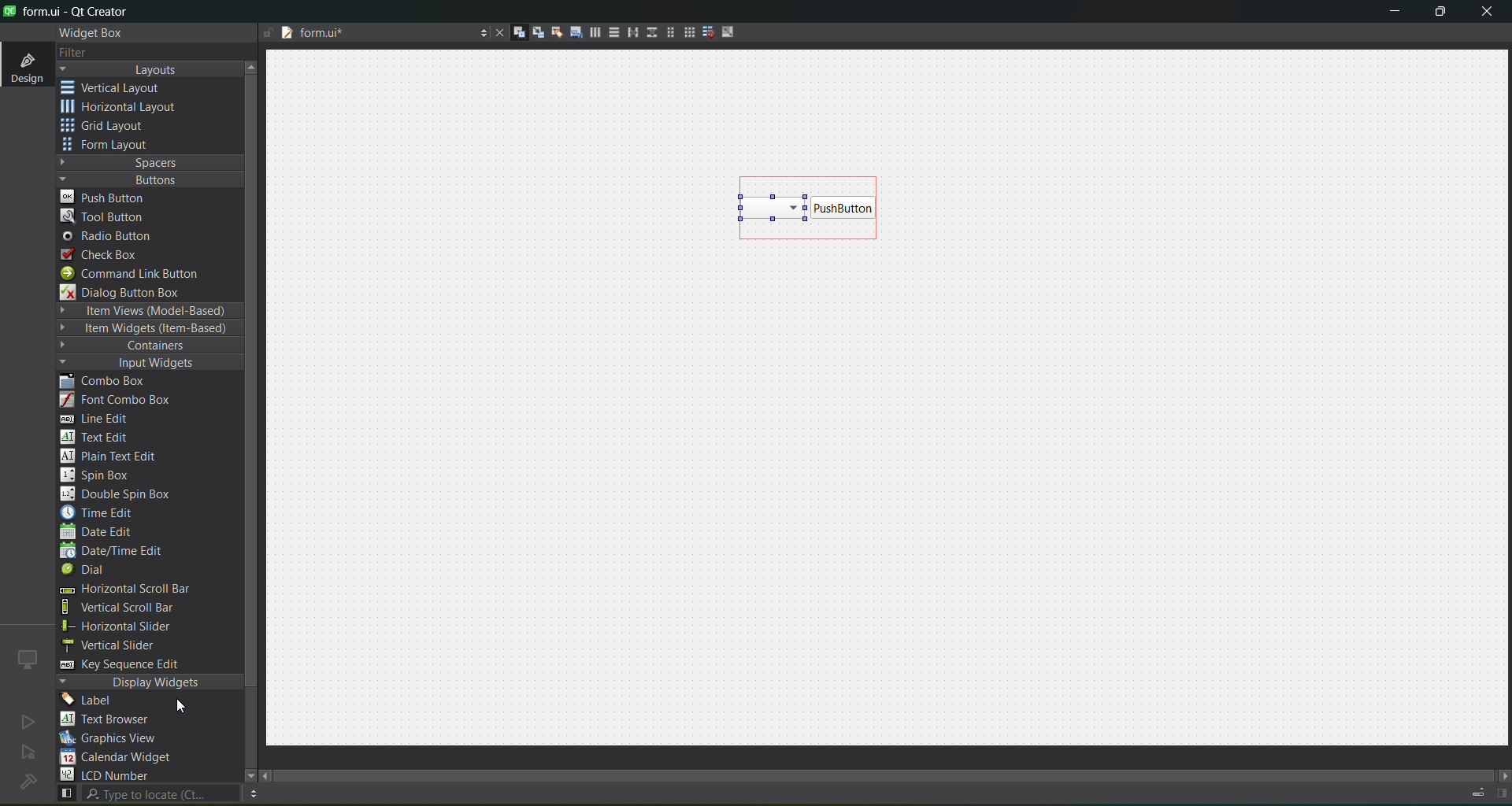 Image resolution: width=1512 pixels, height=806 pixels. Describe the element at coordinates (570, 35) in the screenshot. I see `edit tab` at that location.